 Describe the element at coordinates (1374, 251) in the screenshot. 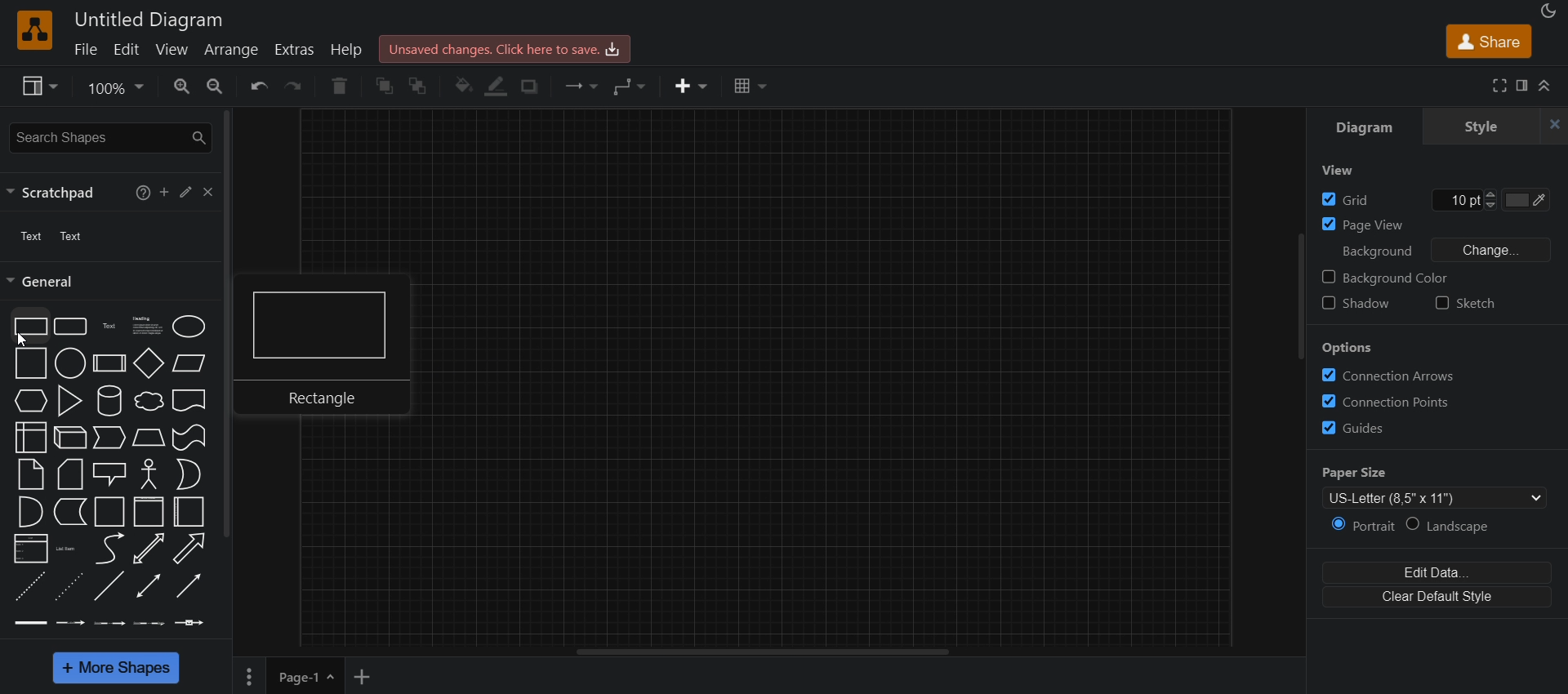

I see `background` at that location.